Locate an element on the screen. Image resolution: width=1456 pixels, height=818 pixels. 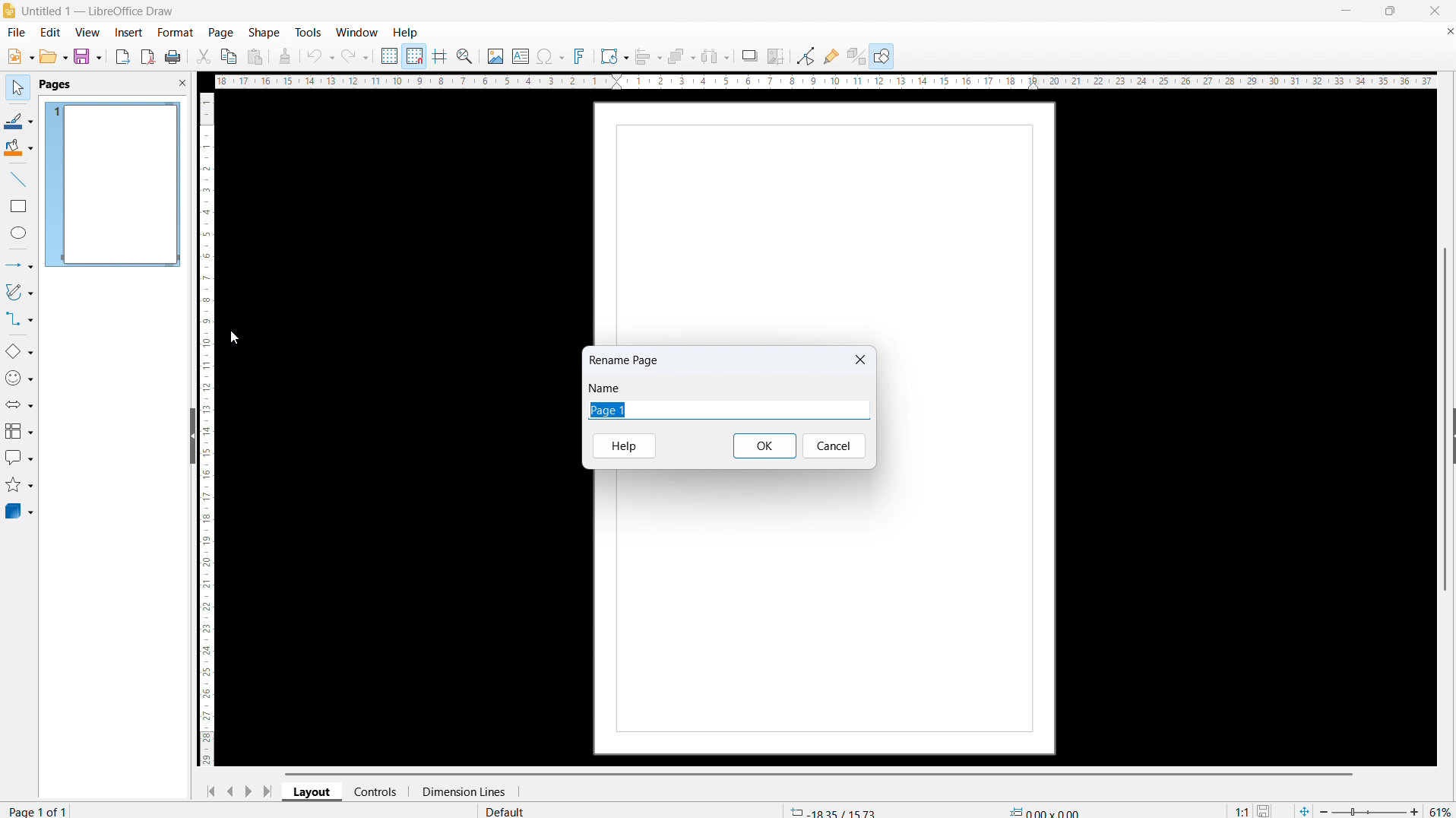
cut is located at coordinates (203, 55).